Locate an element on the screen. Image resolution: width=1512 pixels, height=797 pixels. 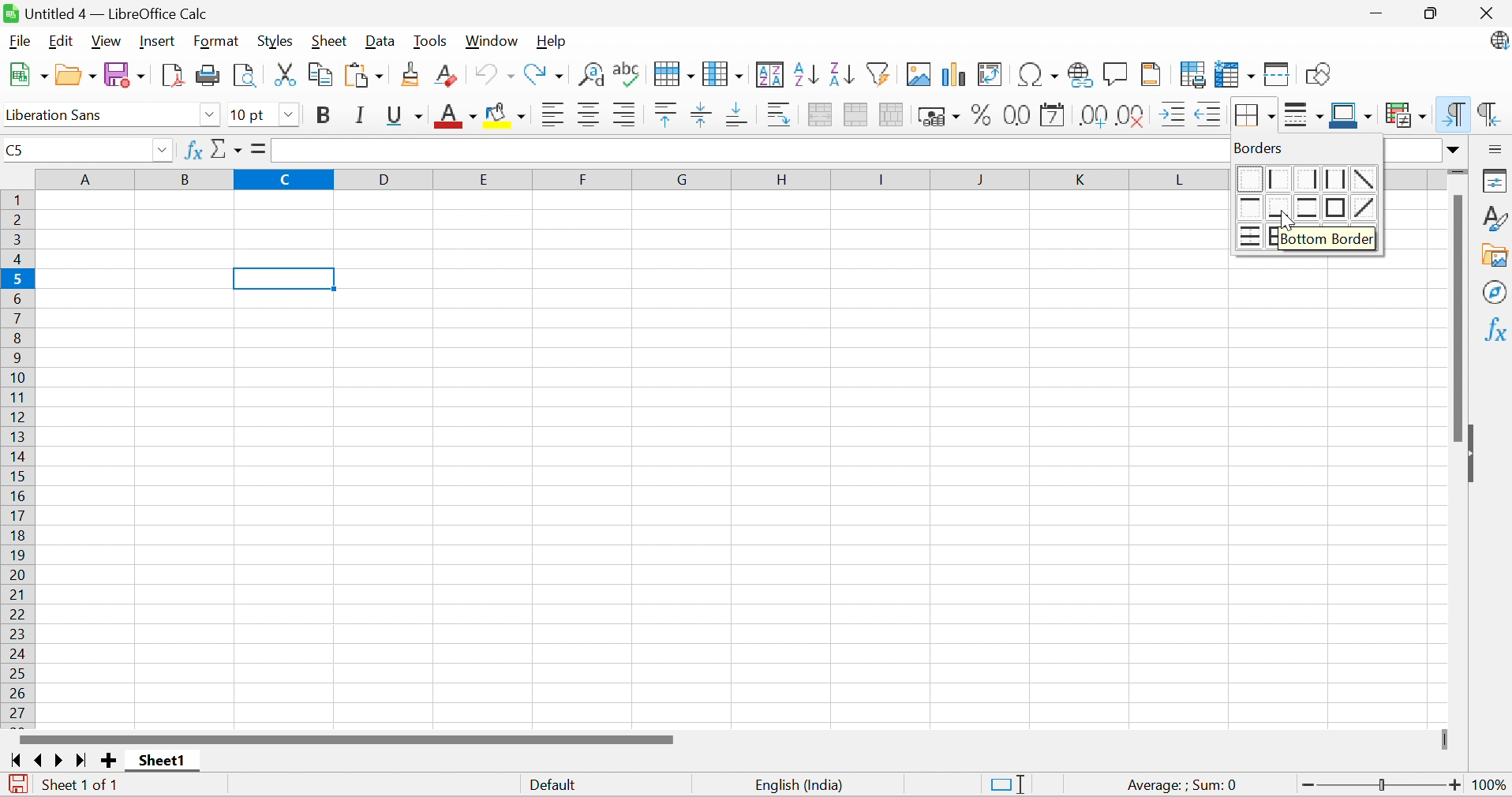
cursor is located at coordinates (1289, 222).